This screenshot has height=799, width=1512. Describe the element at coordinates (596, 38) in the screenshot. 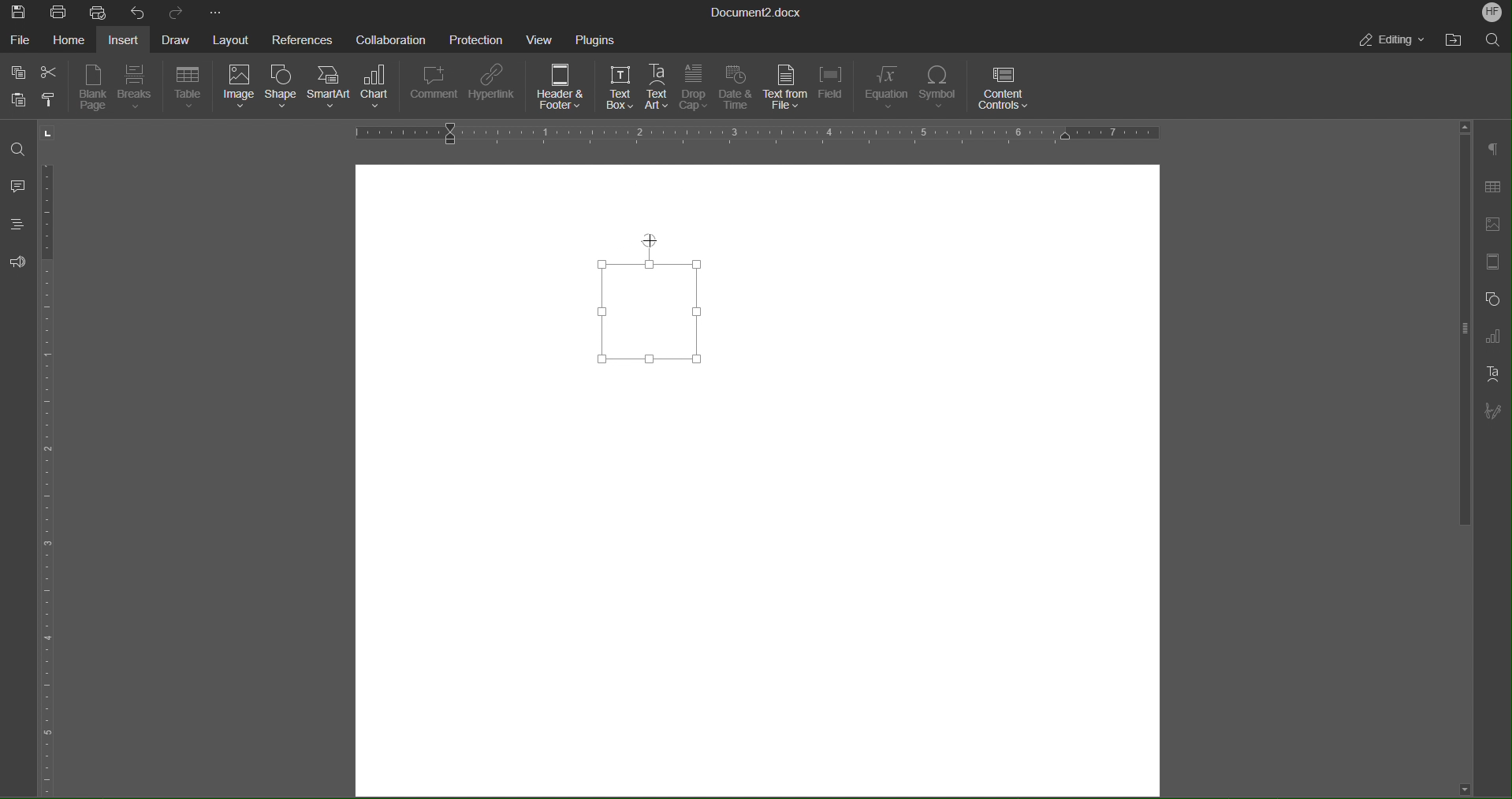

I see `Plugins` at that location.